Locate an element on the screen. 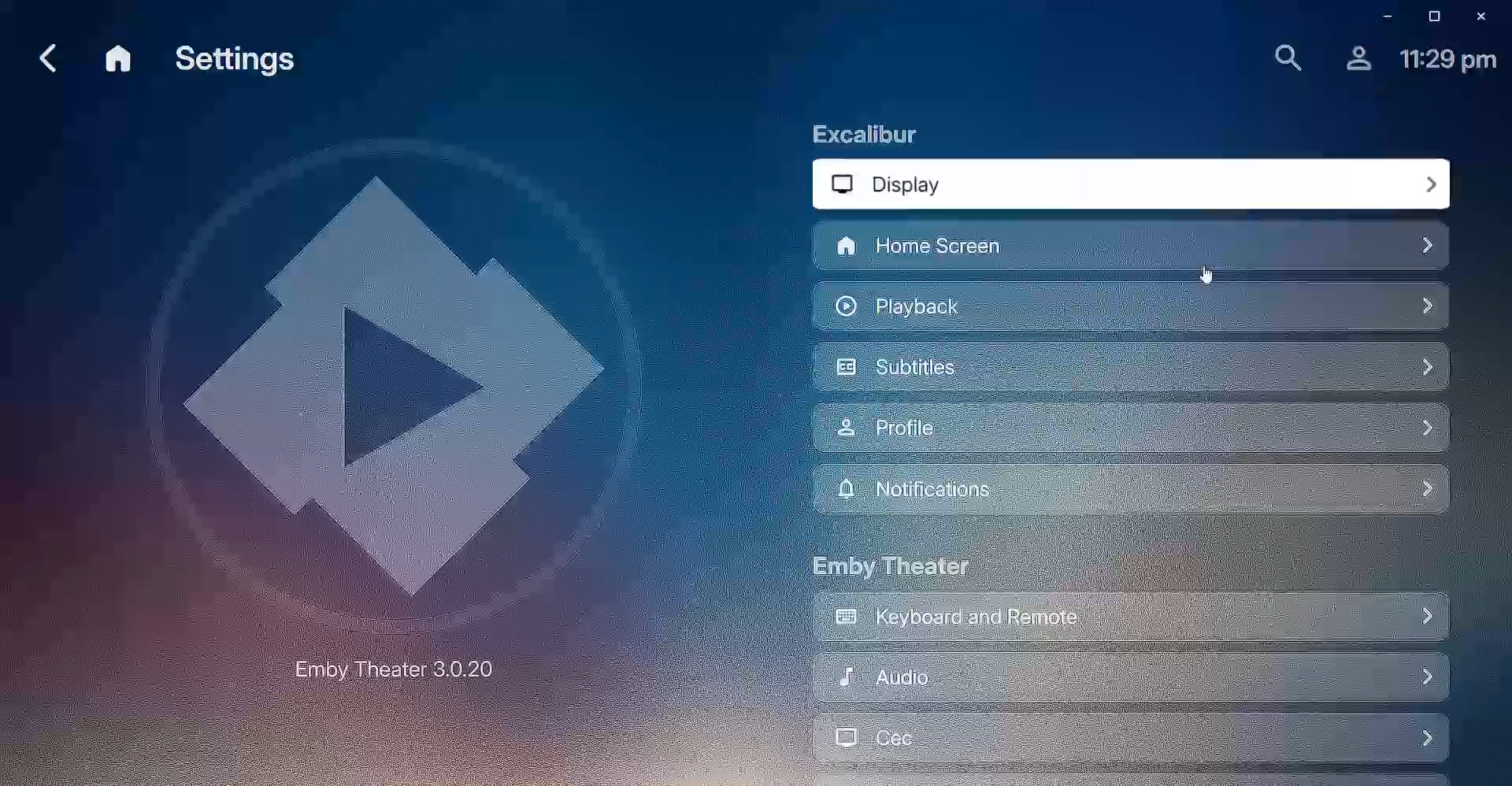  Restore is located at coordinates (1430, 16).